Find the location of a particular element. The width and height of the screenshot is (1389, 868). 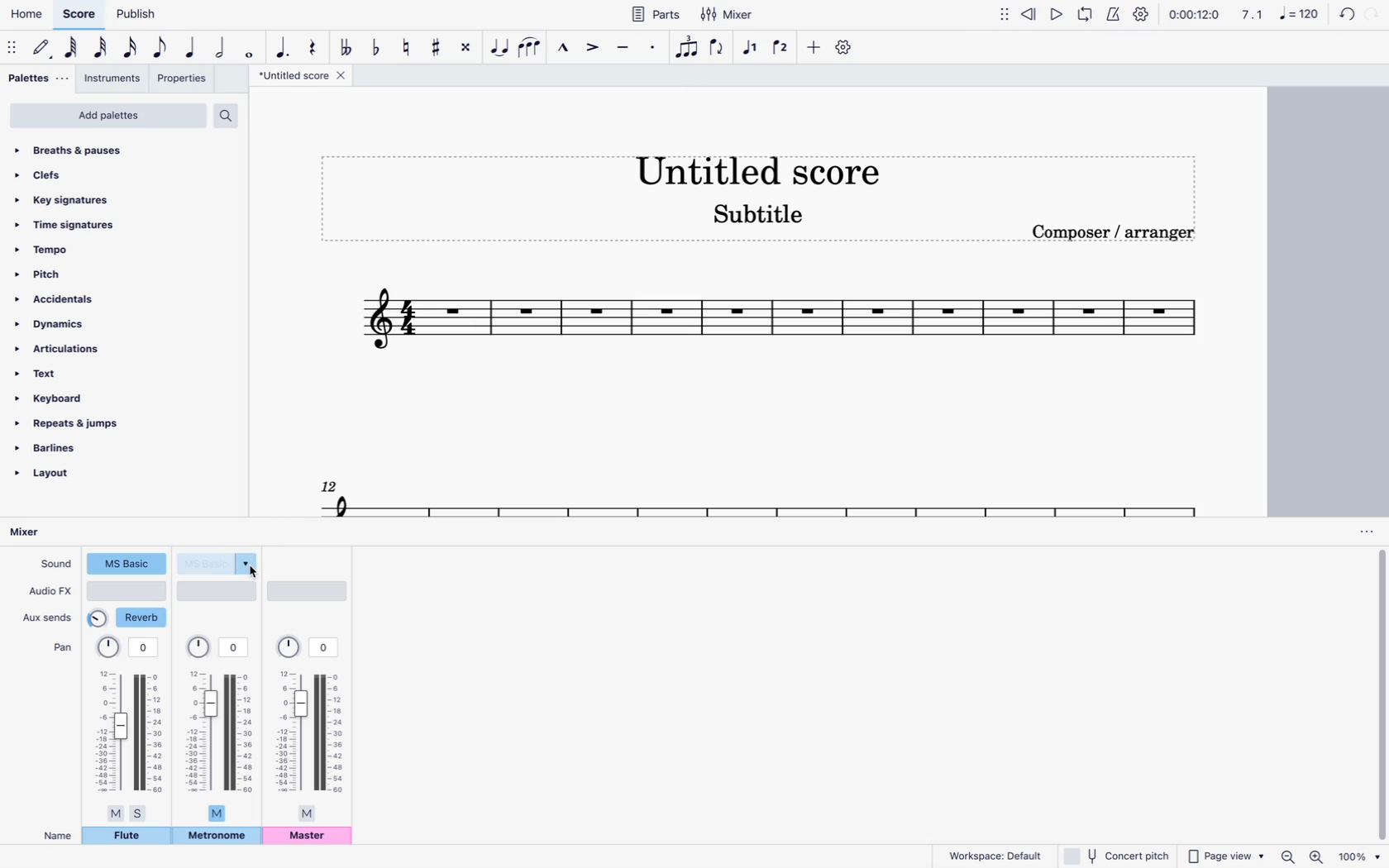

breaths & pauses is located at coordinates (120, 150).